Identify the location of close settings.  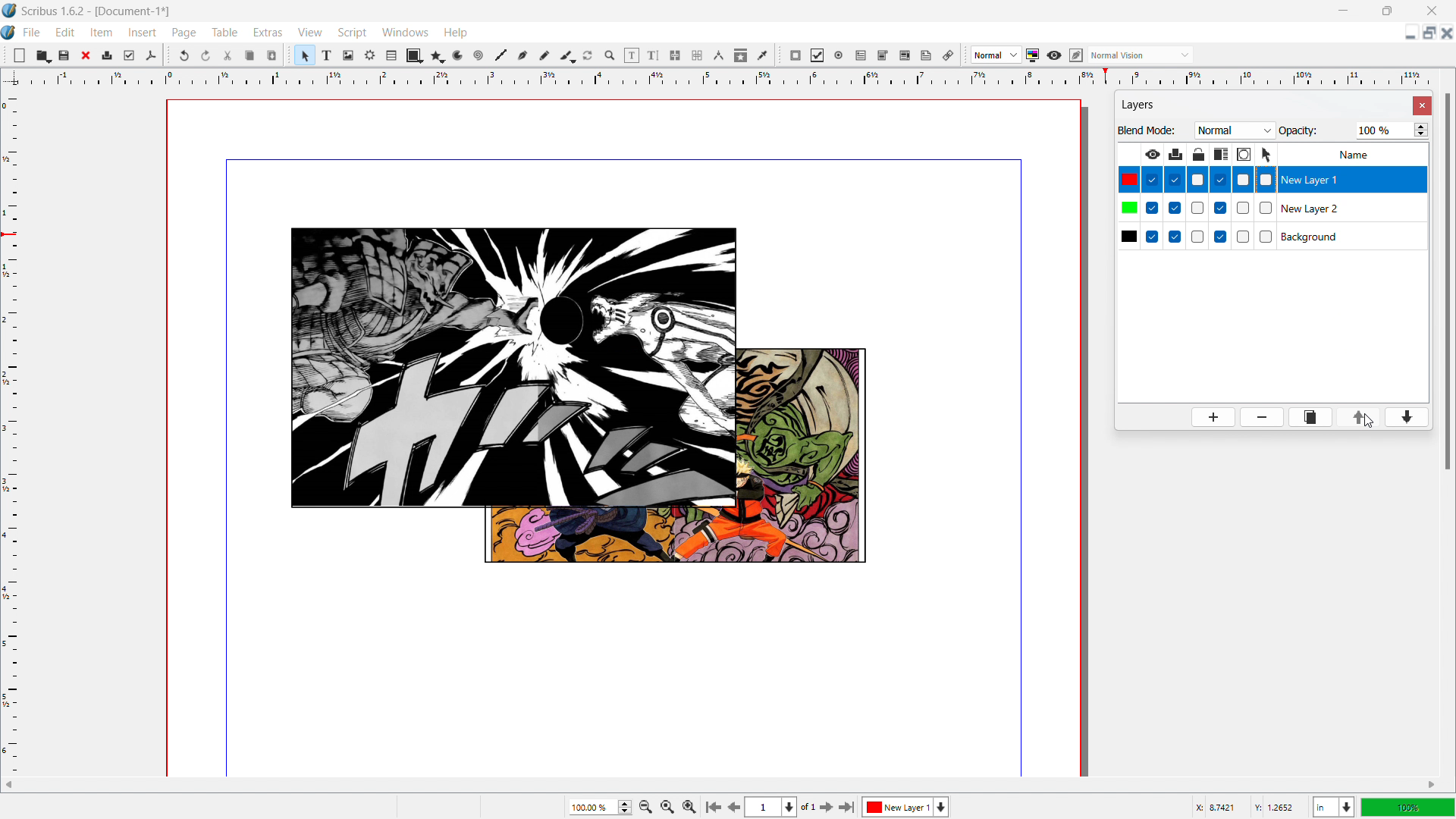
(1423, 105).